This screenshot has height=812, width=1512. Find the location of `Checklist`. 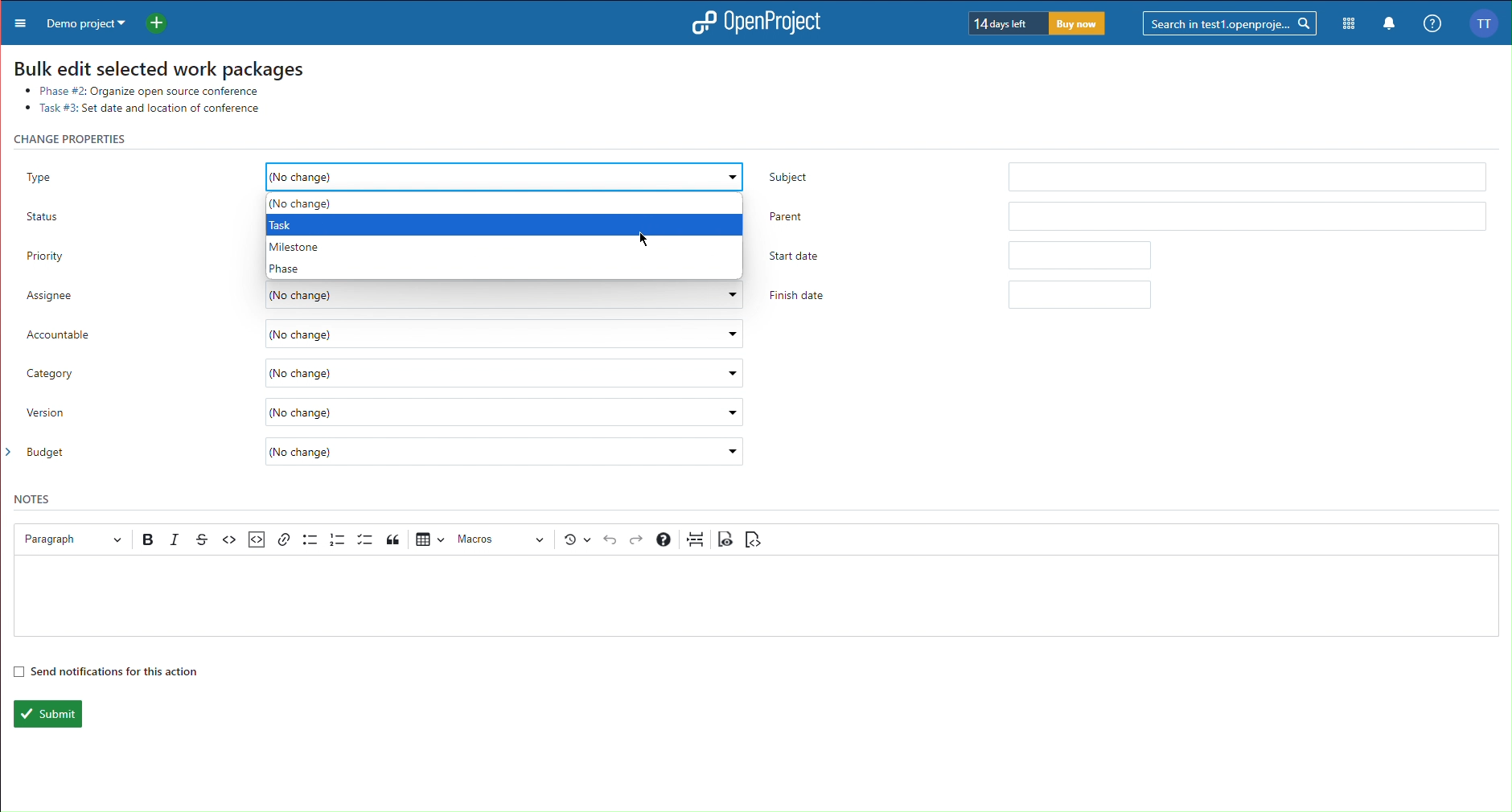

Checklist is located at coordinates (365, 539).